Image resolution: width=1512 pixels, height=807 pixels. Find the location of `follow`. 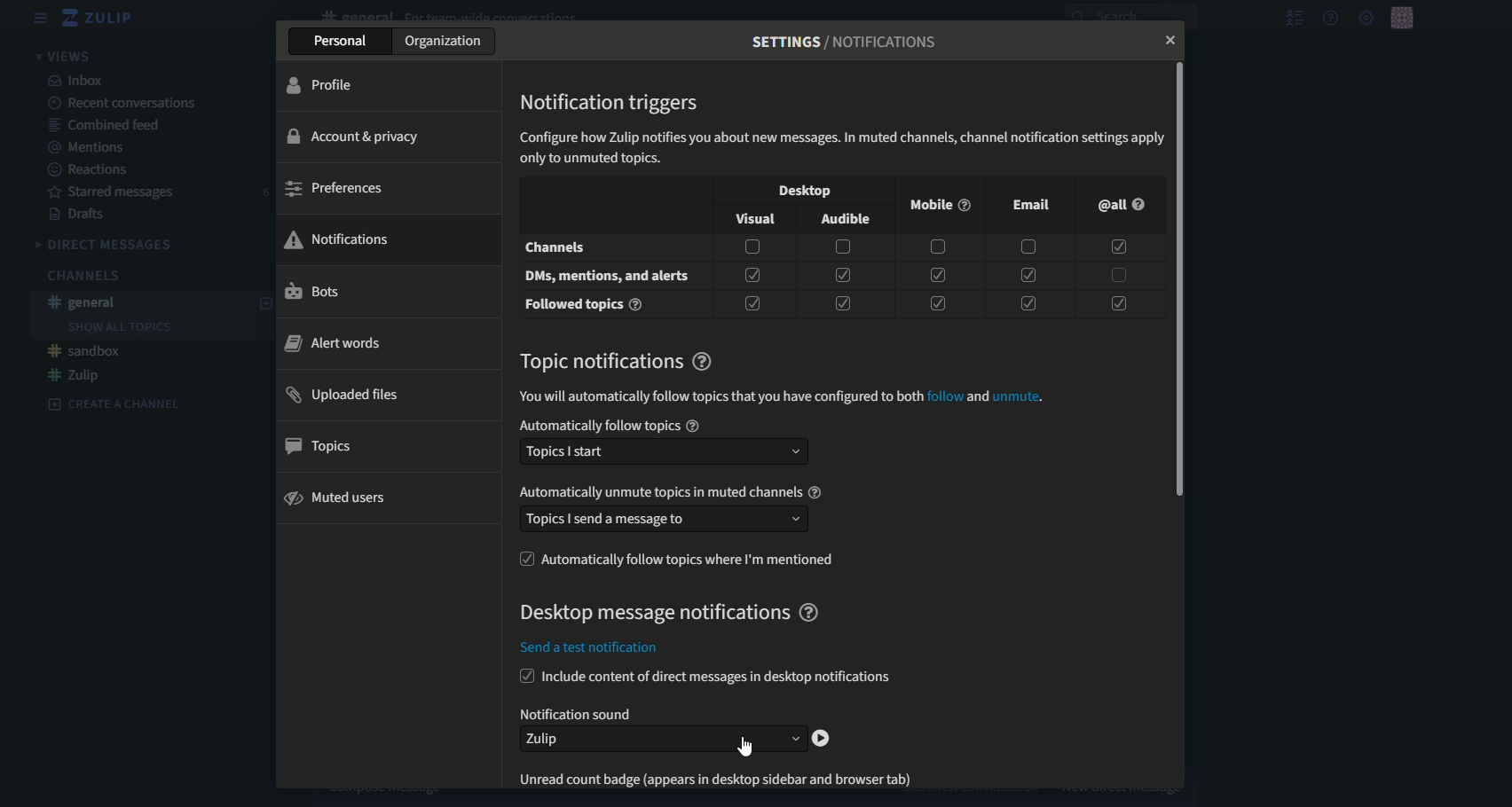

follow is located at coordinates (945, 396).